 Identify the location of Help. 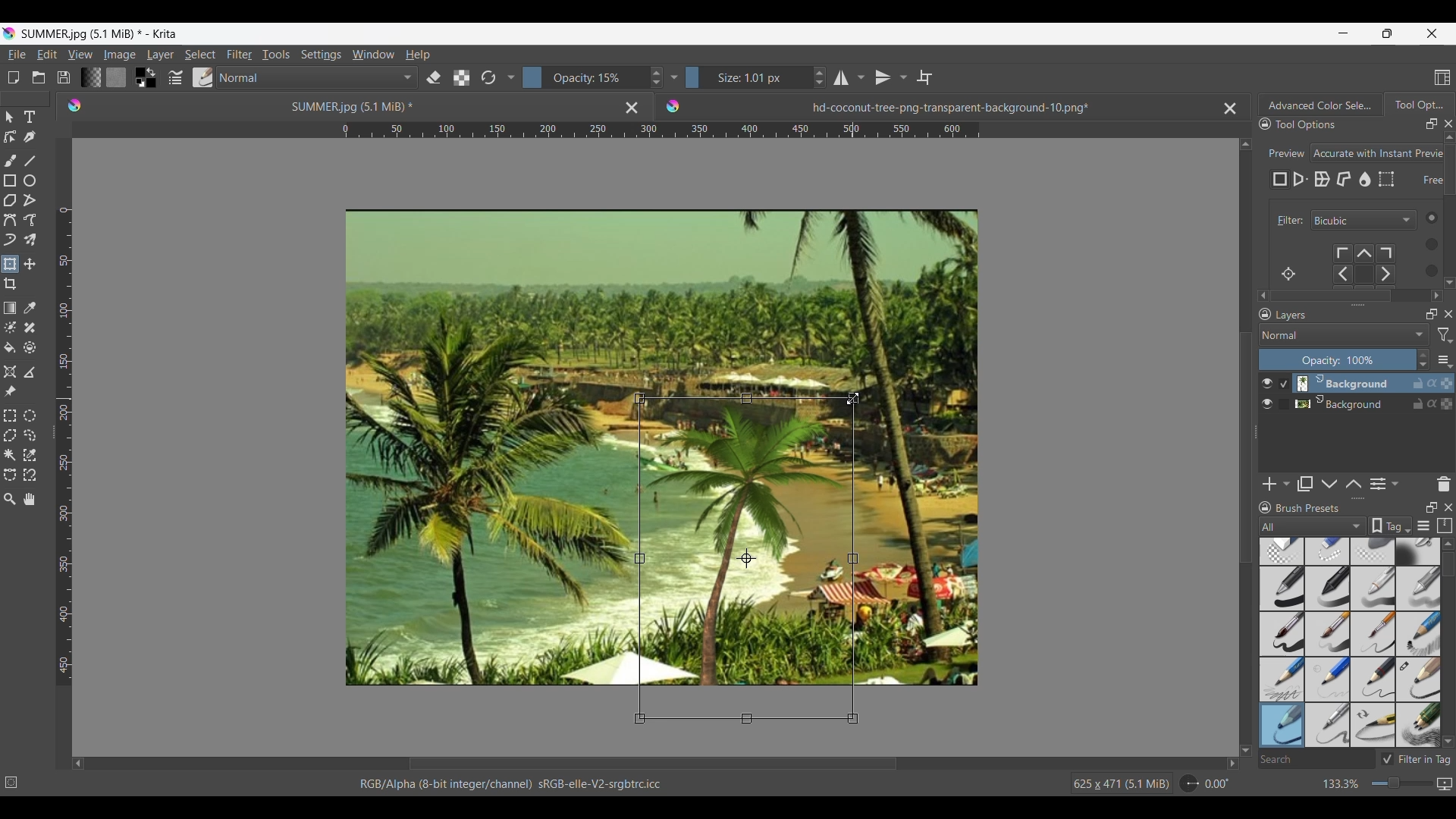
(418, 55).